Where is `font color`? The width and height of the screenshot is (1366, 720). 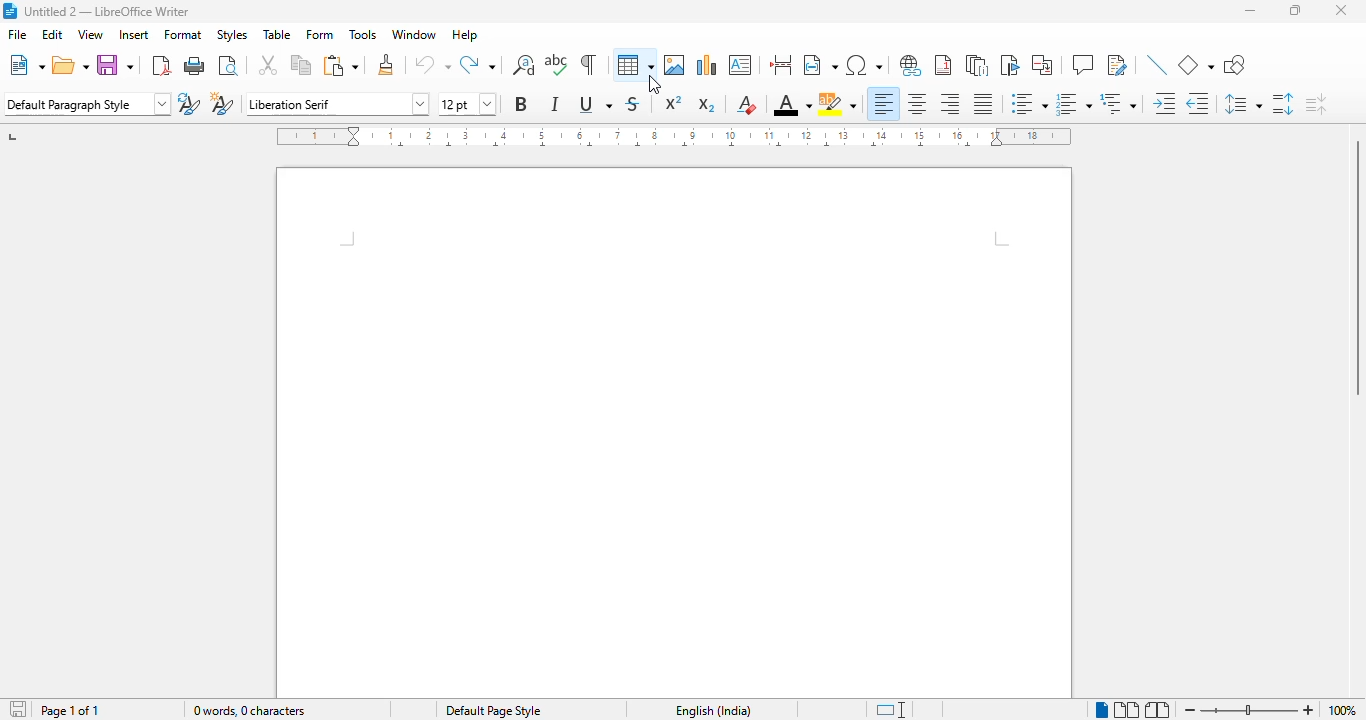 font color is located at coordinates (792, 104).